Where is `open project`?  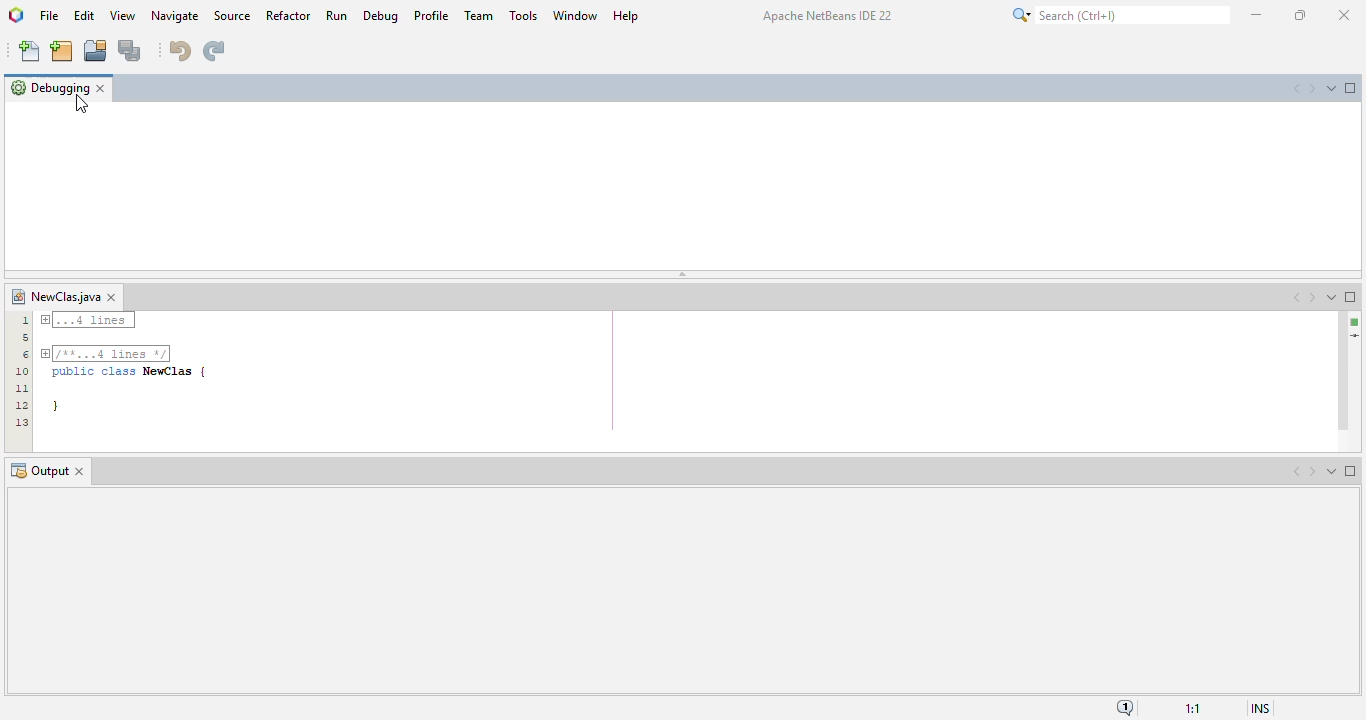 open project is located at coordinates (96, 52).